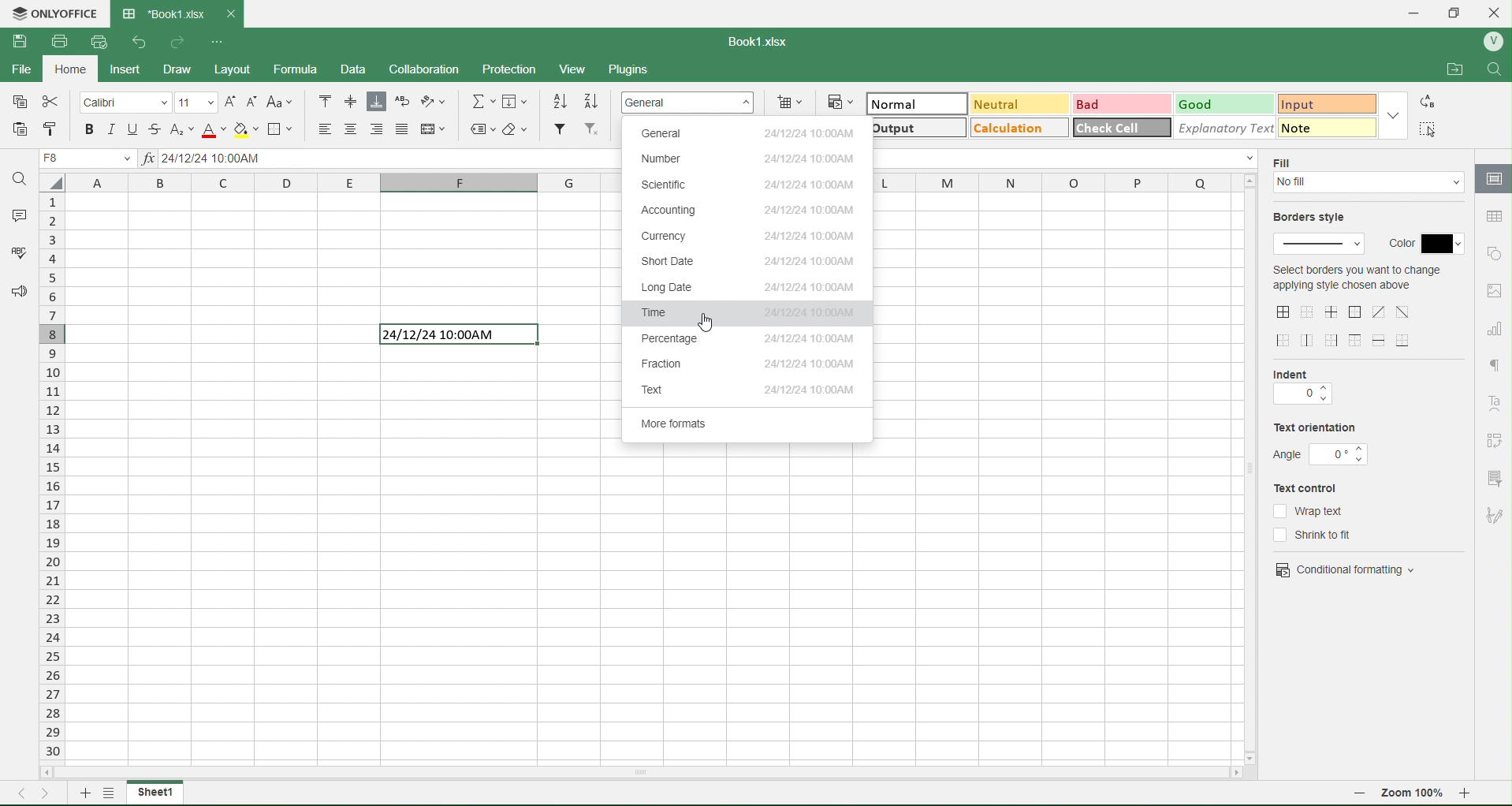 This screenshot has width=1512, height=806. I want to click on Cut, so click(53, 103).